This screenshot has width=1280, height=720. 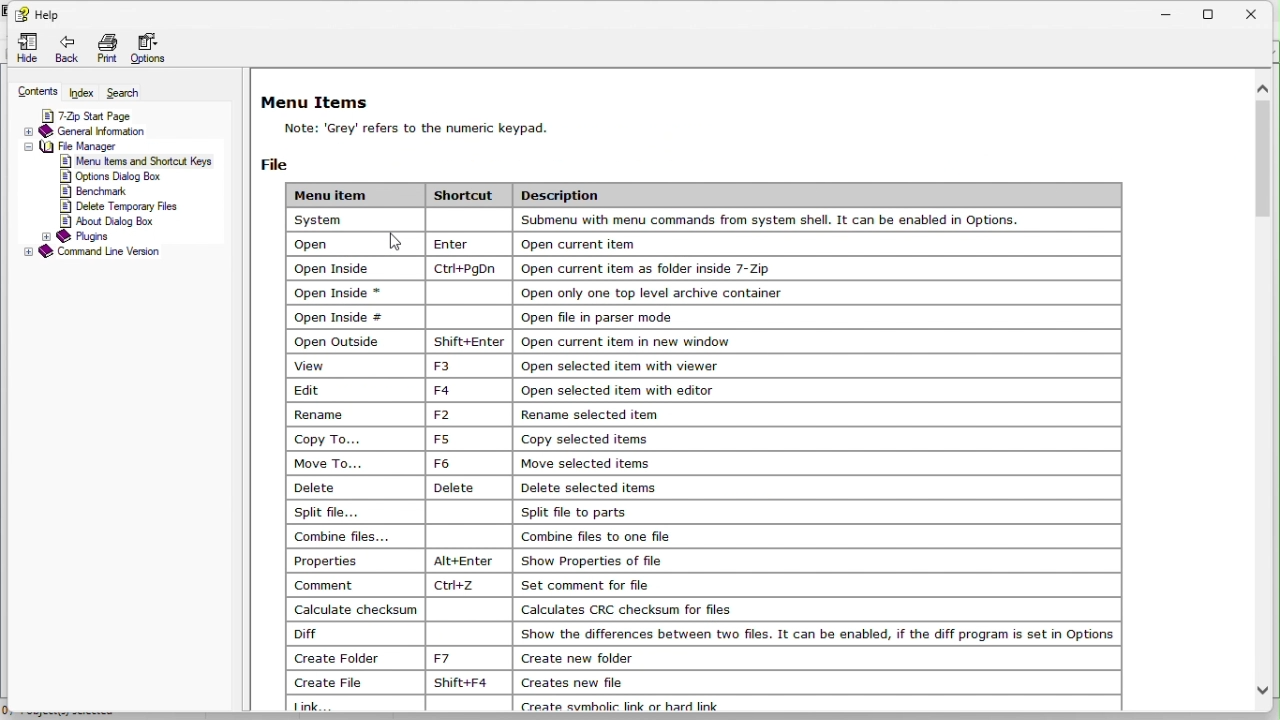 I want to click on | Edit 1 F4 | Open selected item with editor, so click(x=515, y=389).